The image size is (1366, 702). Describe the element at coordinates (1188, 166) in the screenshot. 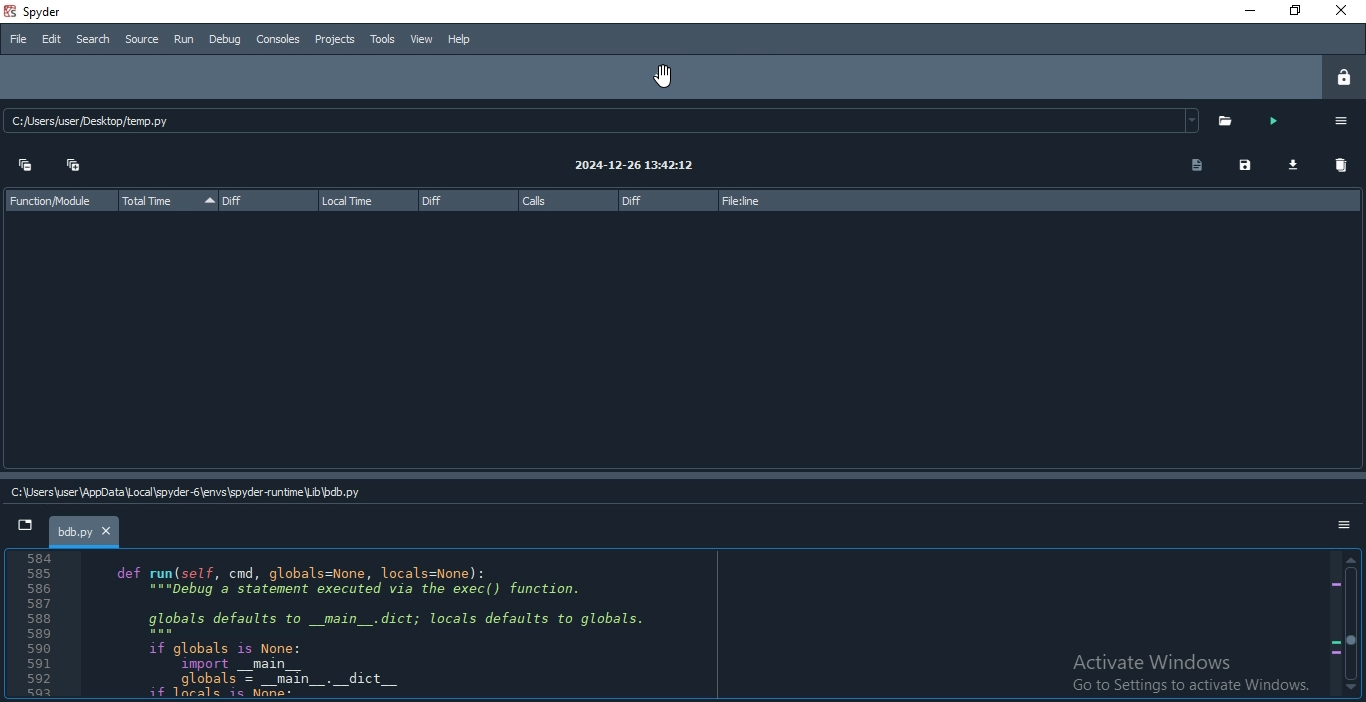

I see `copy` at that location.